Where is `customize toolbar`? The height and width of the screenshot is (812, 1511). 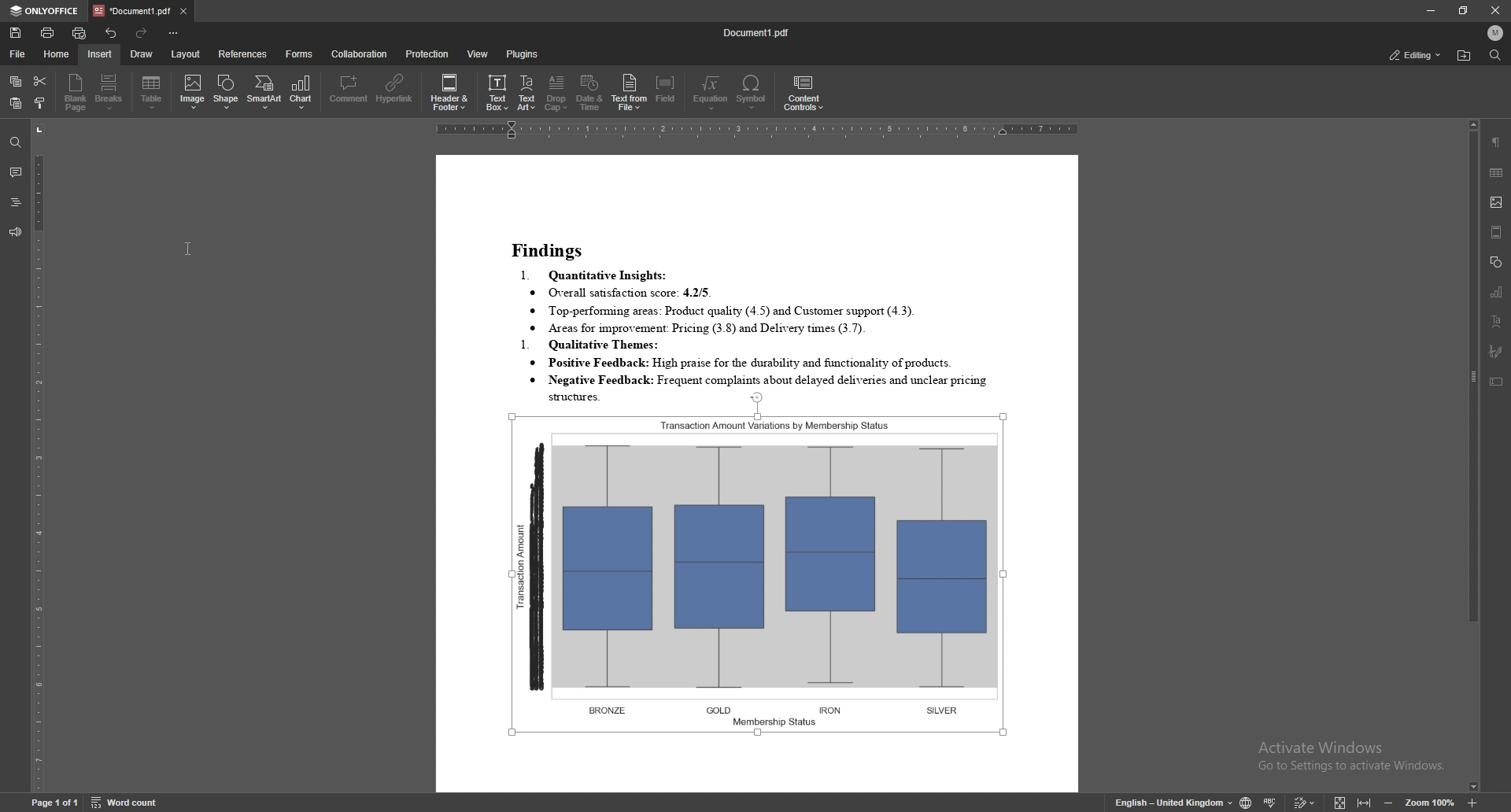
customize toolbar is located at coordinates (174, 32).